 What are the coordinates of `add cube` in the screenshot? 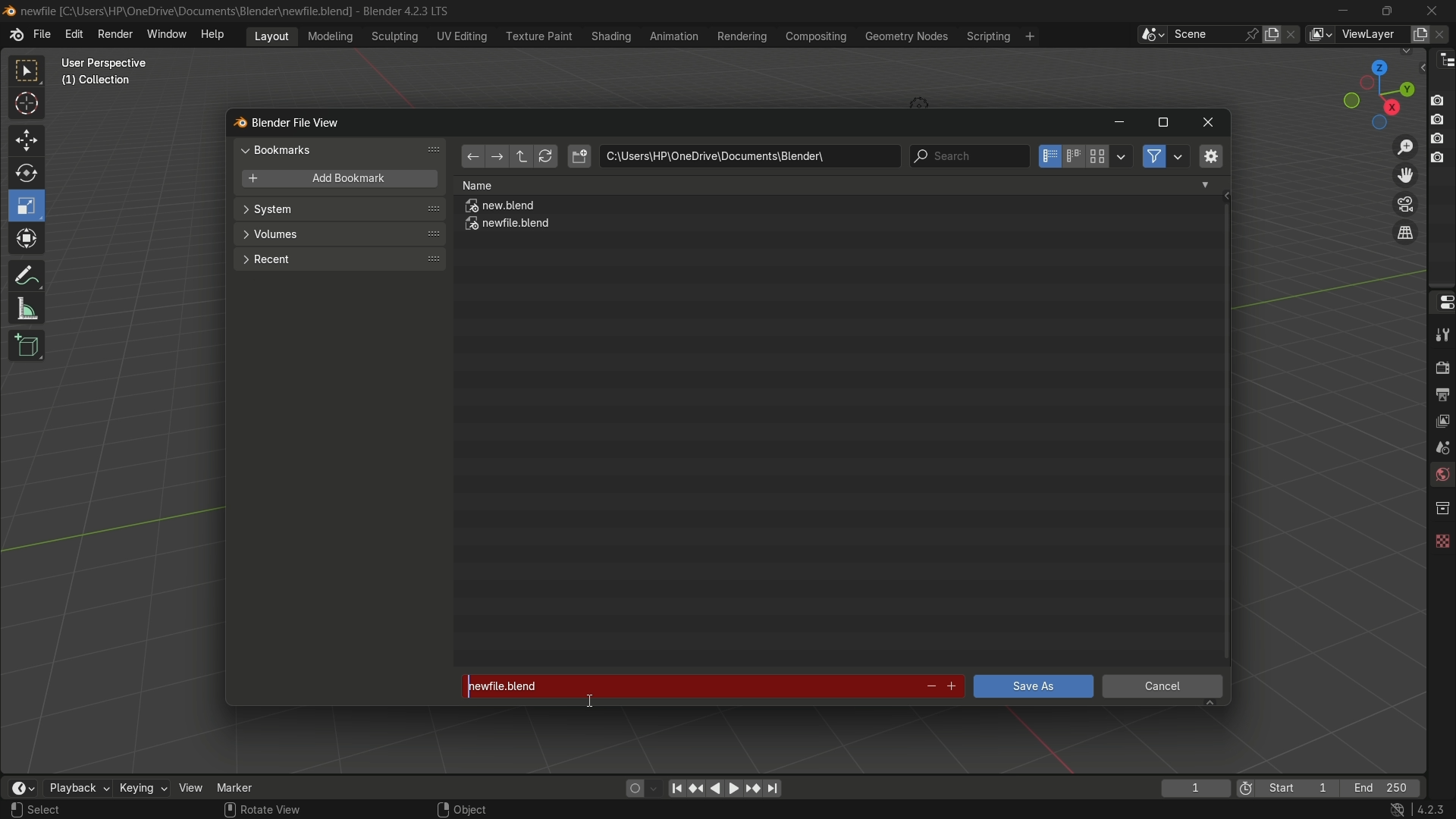 It's located at (24, 347).